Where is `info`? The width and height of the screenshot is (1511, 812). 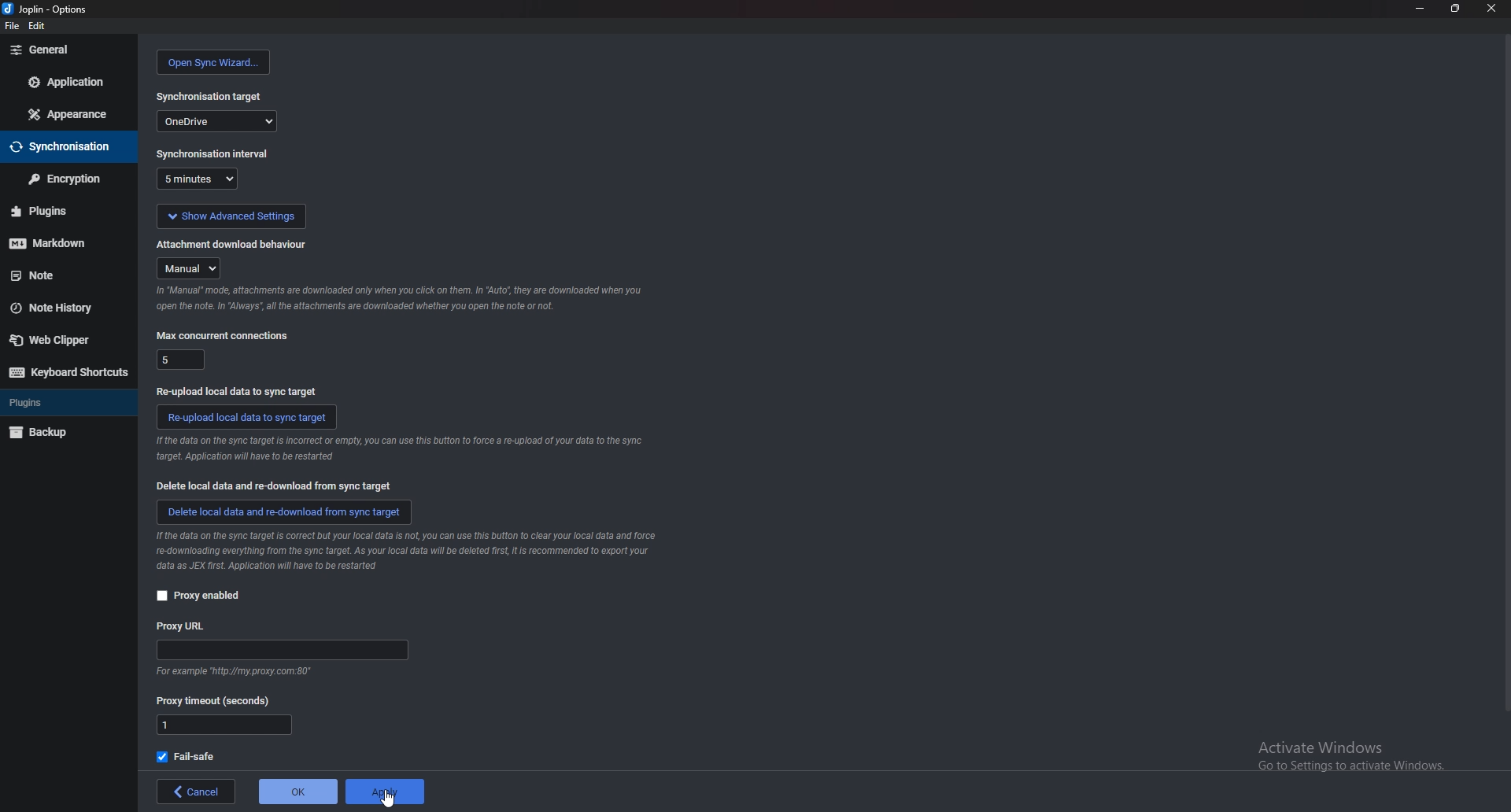 info is located at coordinates (231, 673).